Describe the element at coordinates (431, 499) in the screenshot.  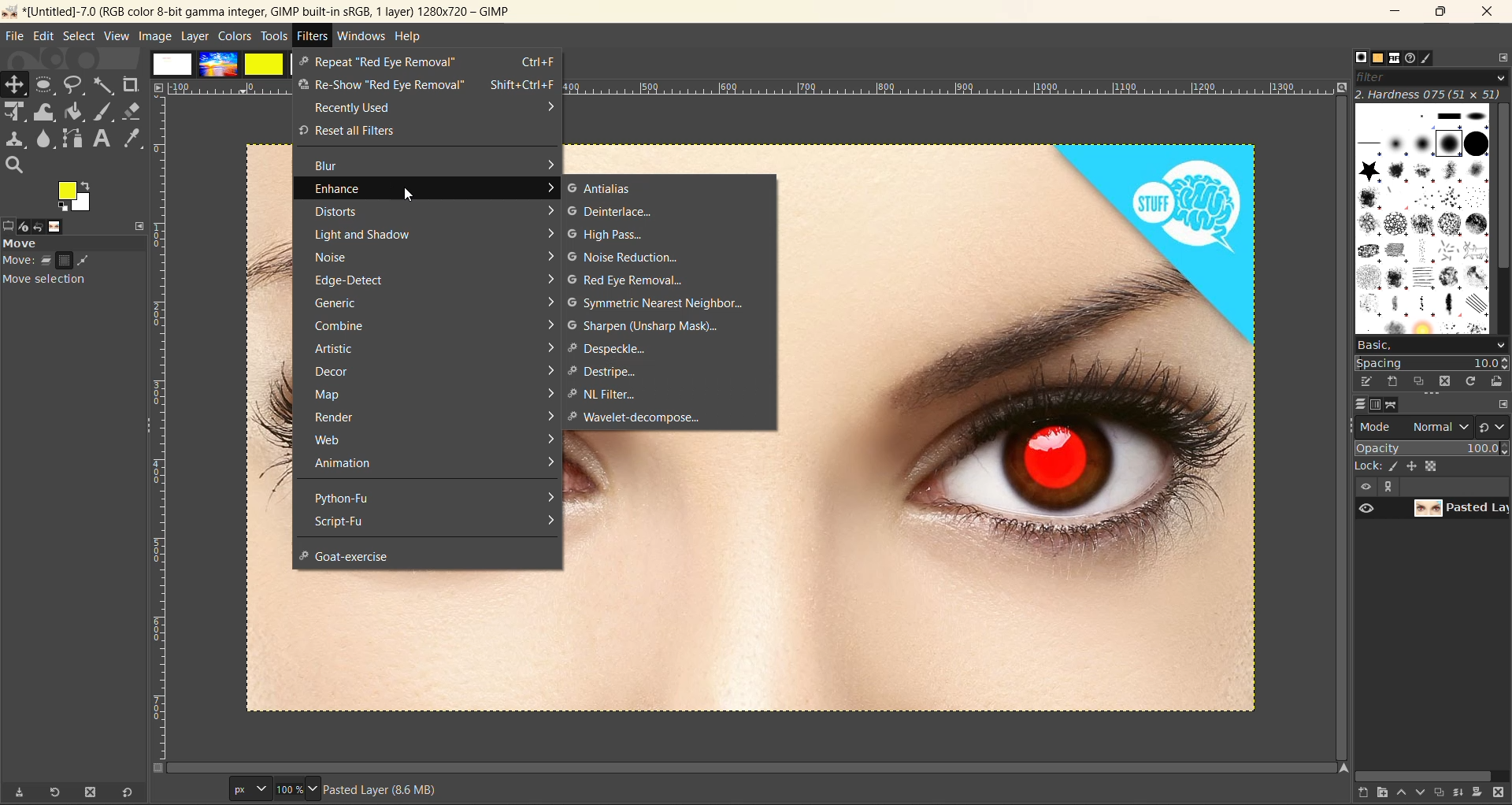
I see `python fu` at that location.